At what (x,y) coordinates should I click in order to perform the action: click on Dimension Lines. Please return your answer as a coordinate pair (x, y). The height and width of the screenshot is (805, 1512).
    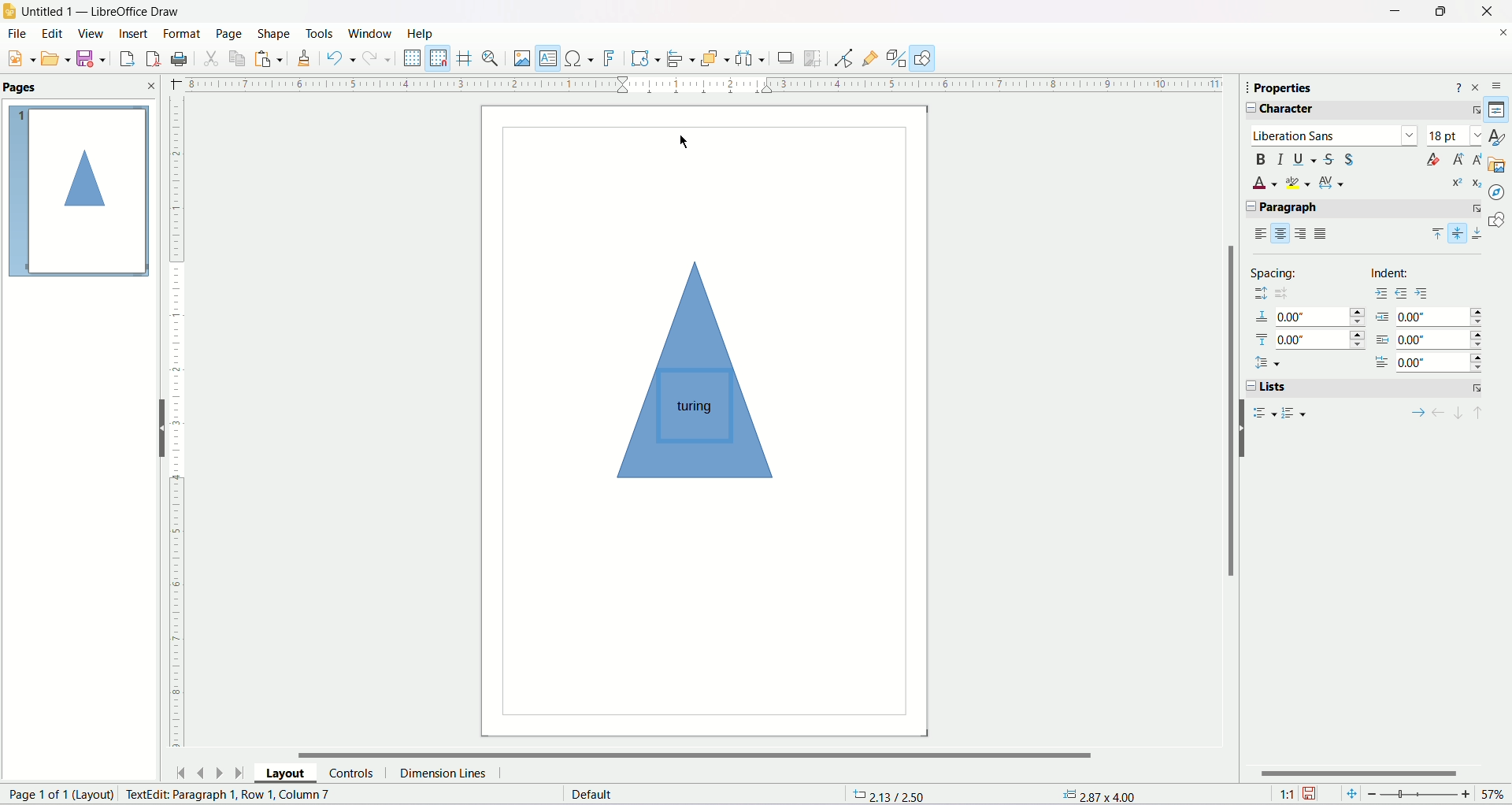
    Looking at the image, I should click on (450, 774).